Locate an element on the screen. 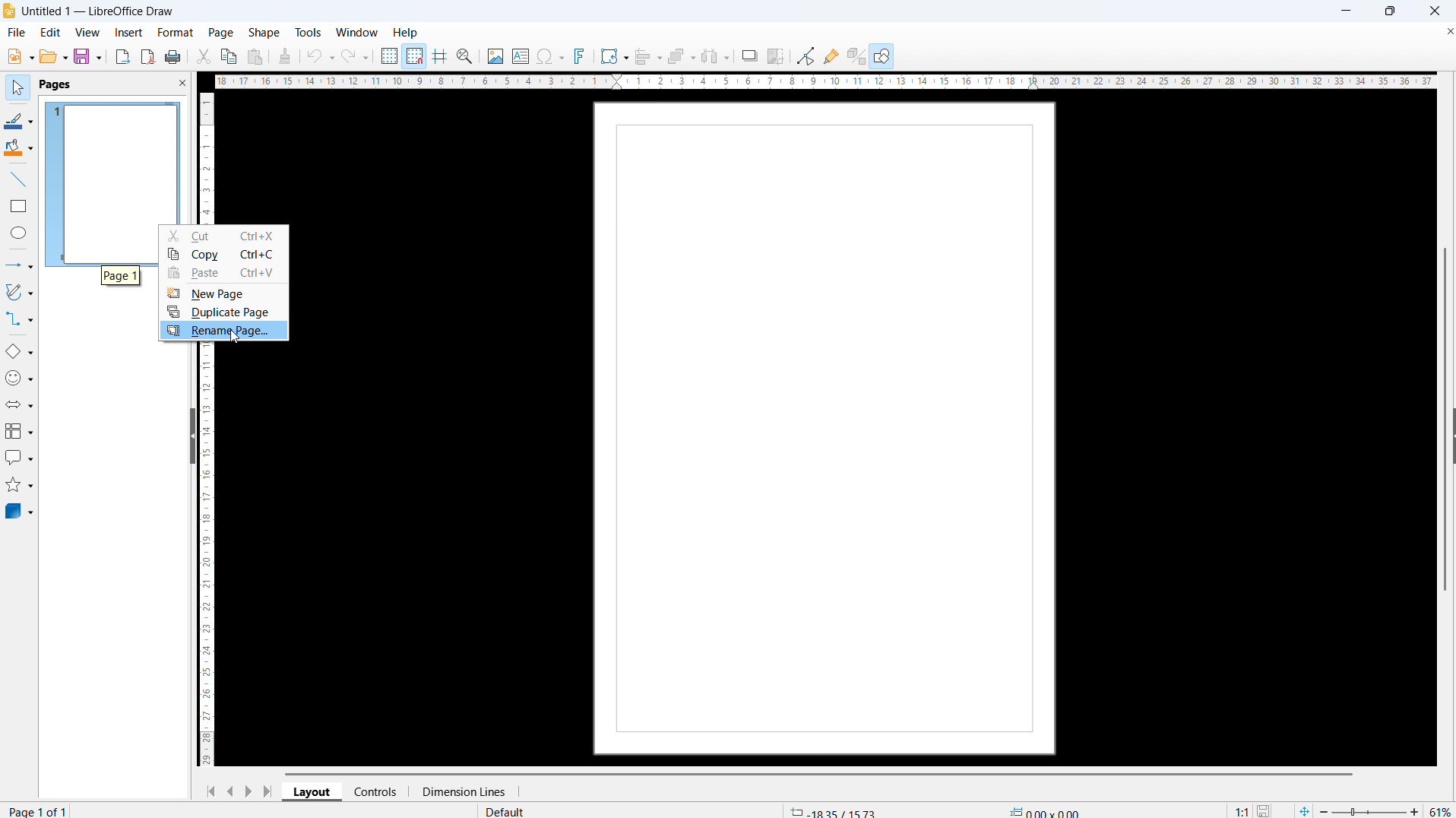 The image size is (1456, 818). minimize is located at coordinates (1347, 11).